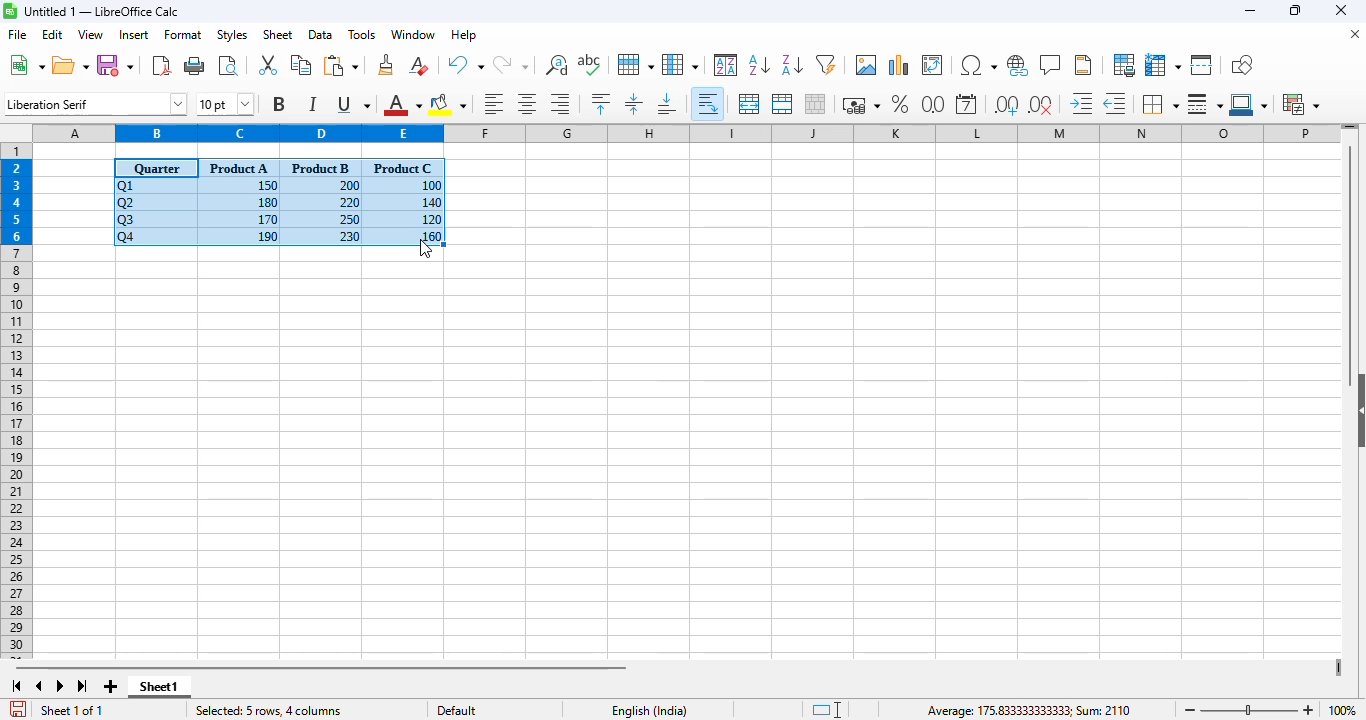 The height and width of the screenshot is (720, 1366). I want to click on columns, so click(686, 132).